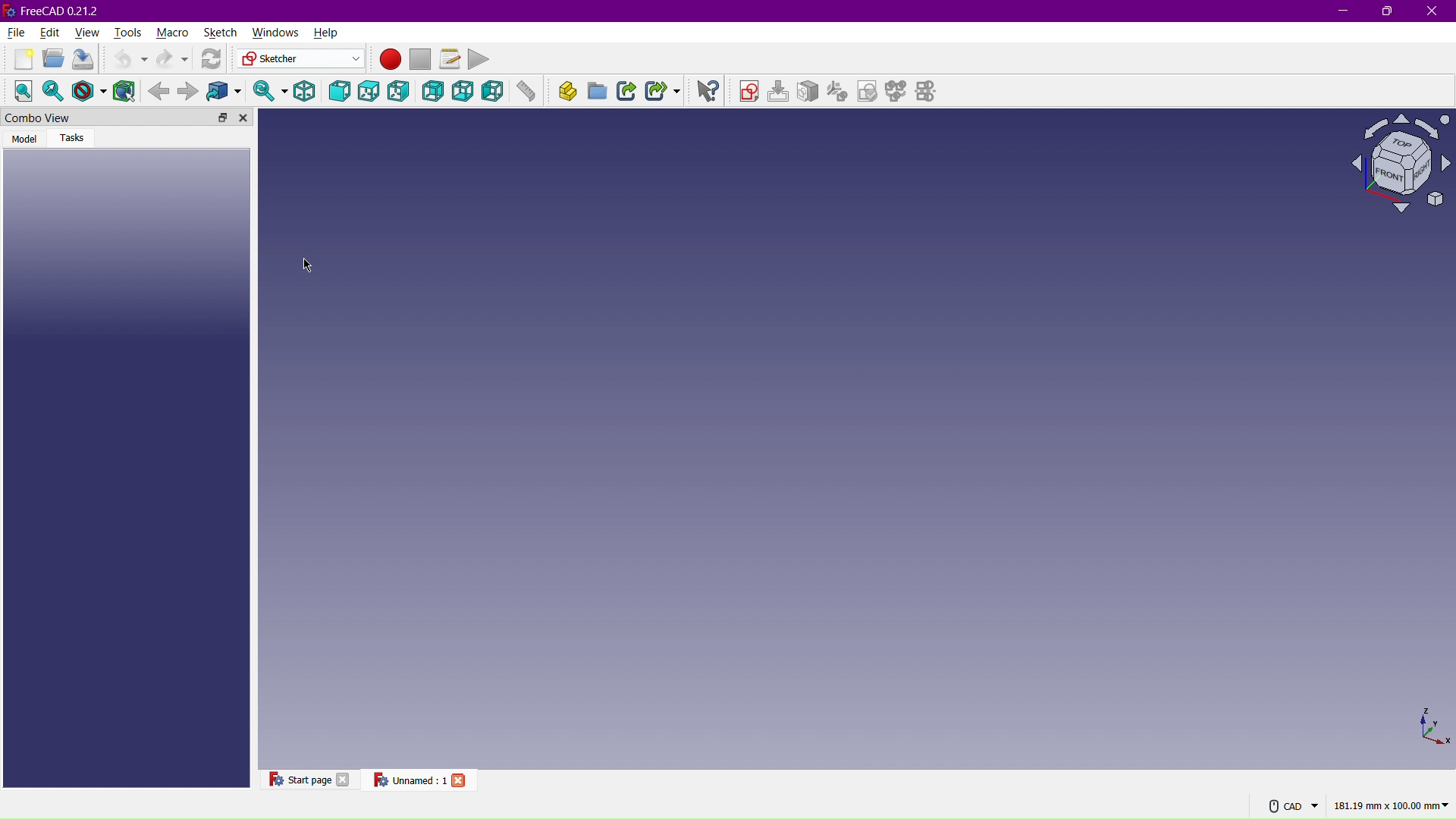  I want to click on Isometric View, so click(1403, 162).